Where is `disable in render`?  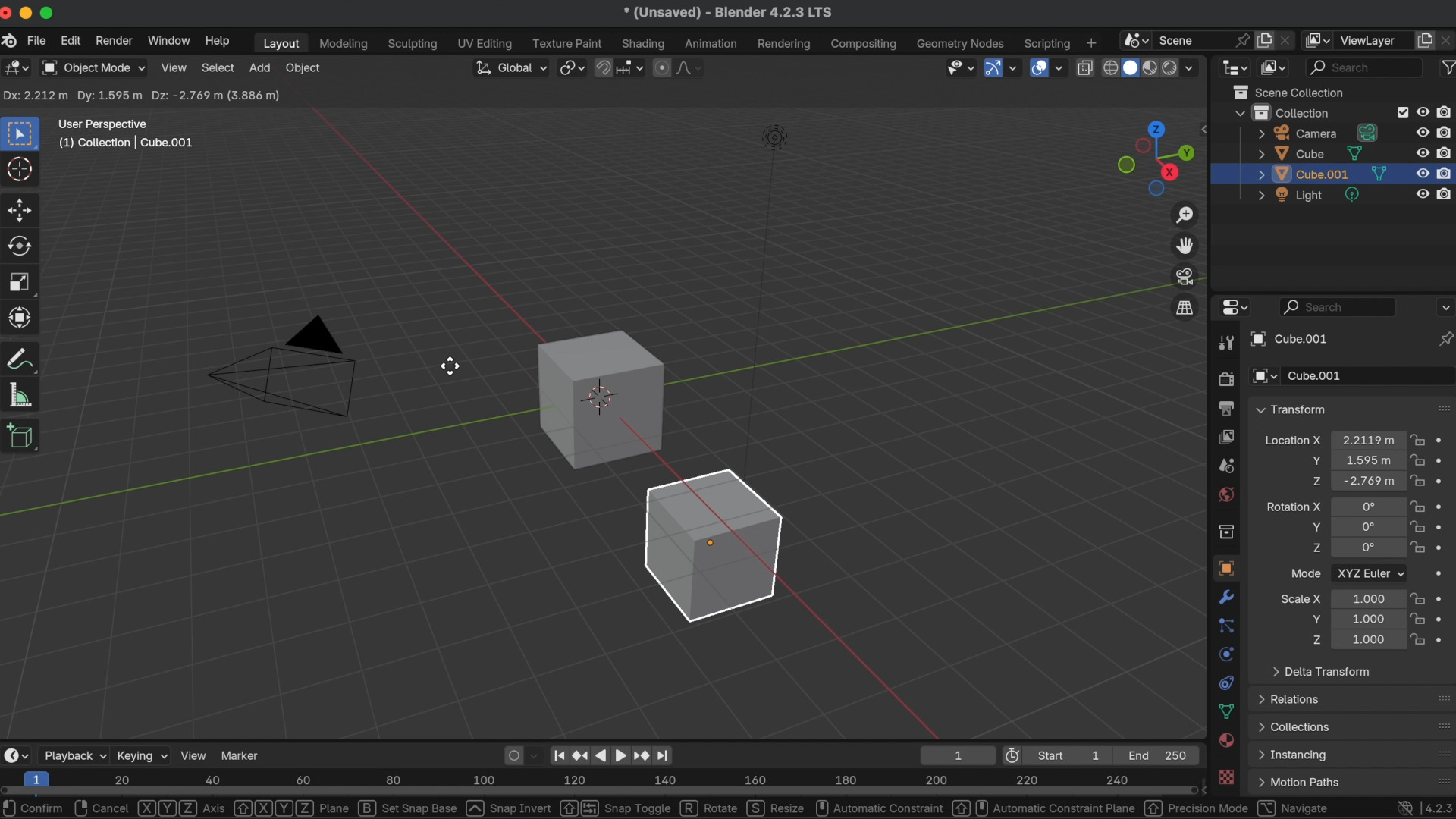
disable in render is located at coordinates (1446, 111).